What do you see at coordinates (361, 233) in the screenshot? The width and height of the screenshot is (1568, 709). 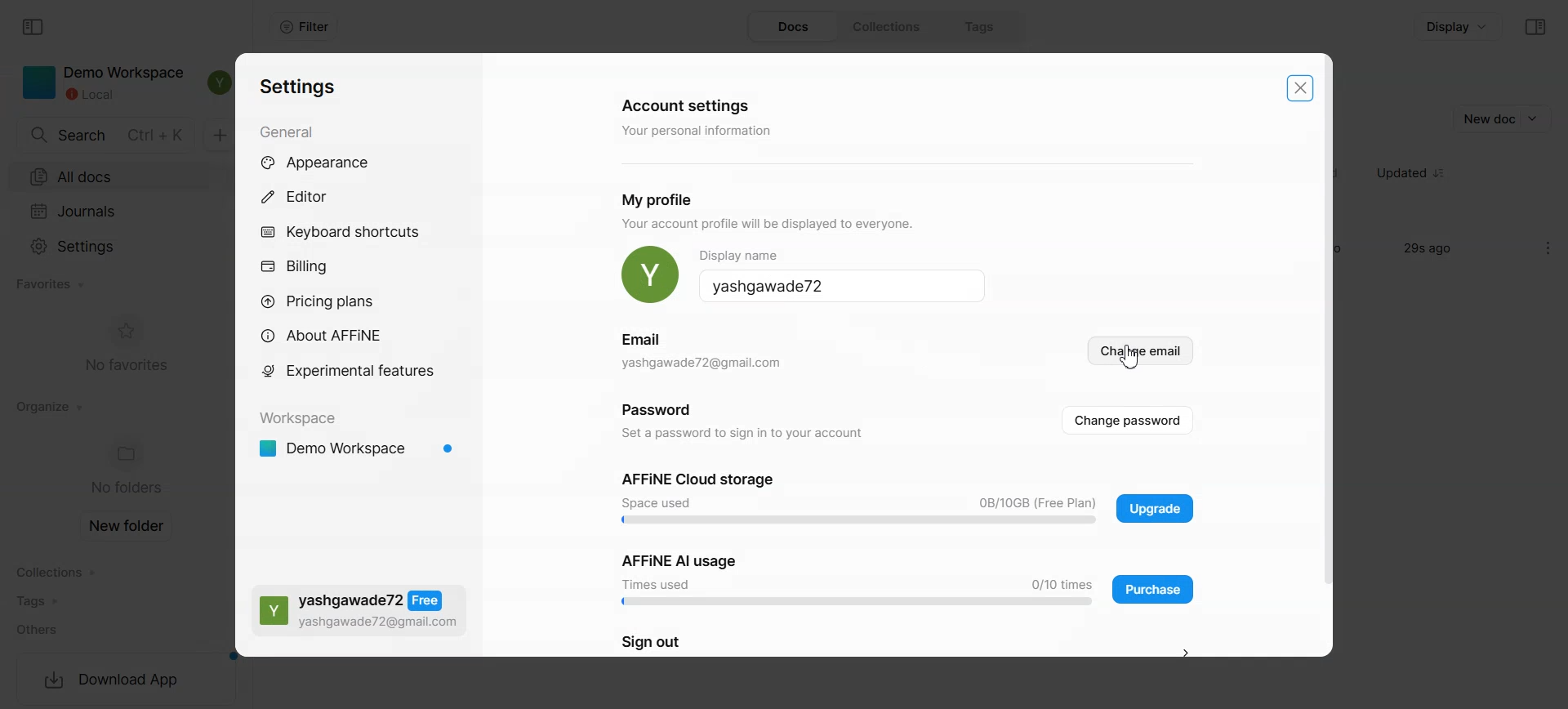 I see `Keyboard shortcuts` at bounding box center [361, 233].